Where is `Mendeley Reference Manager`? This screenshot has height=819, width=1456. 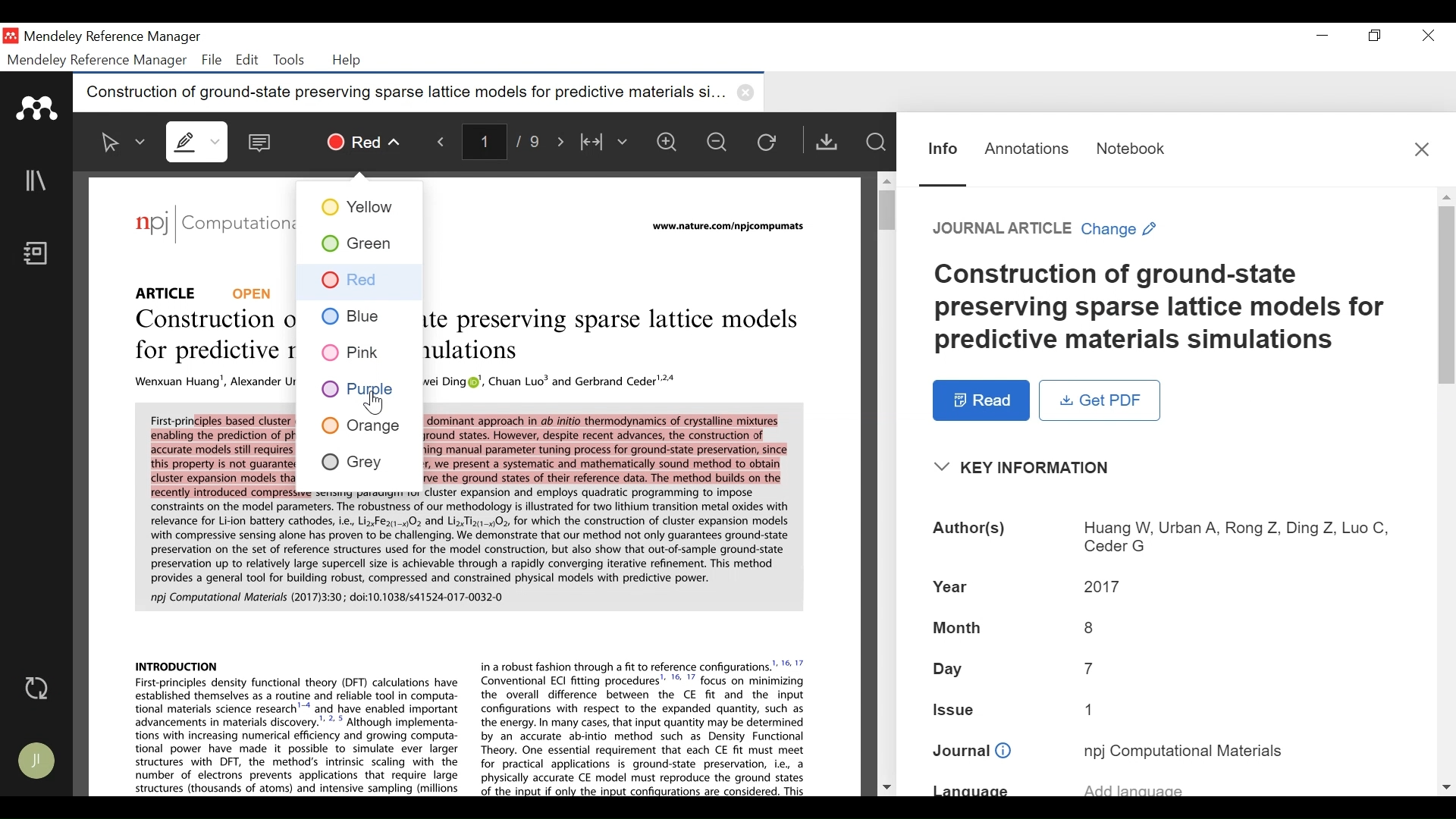
Mendeley Reference Manager is located at coordinates (116, 38).